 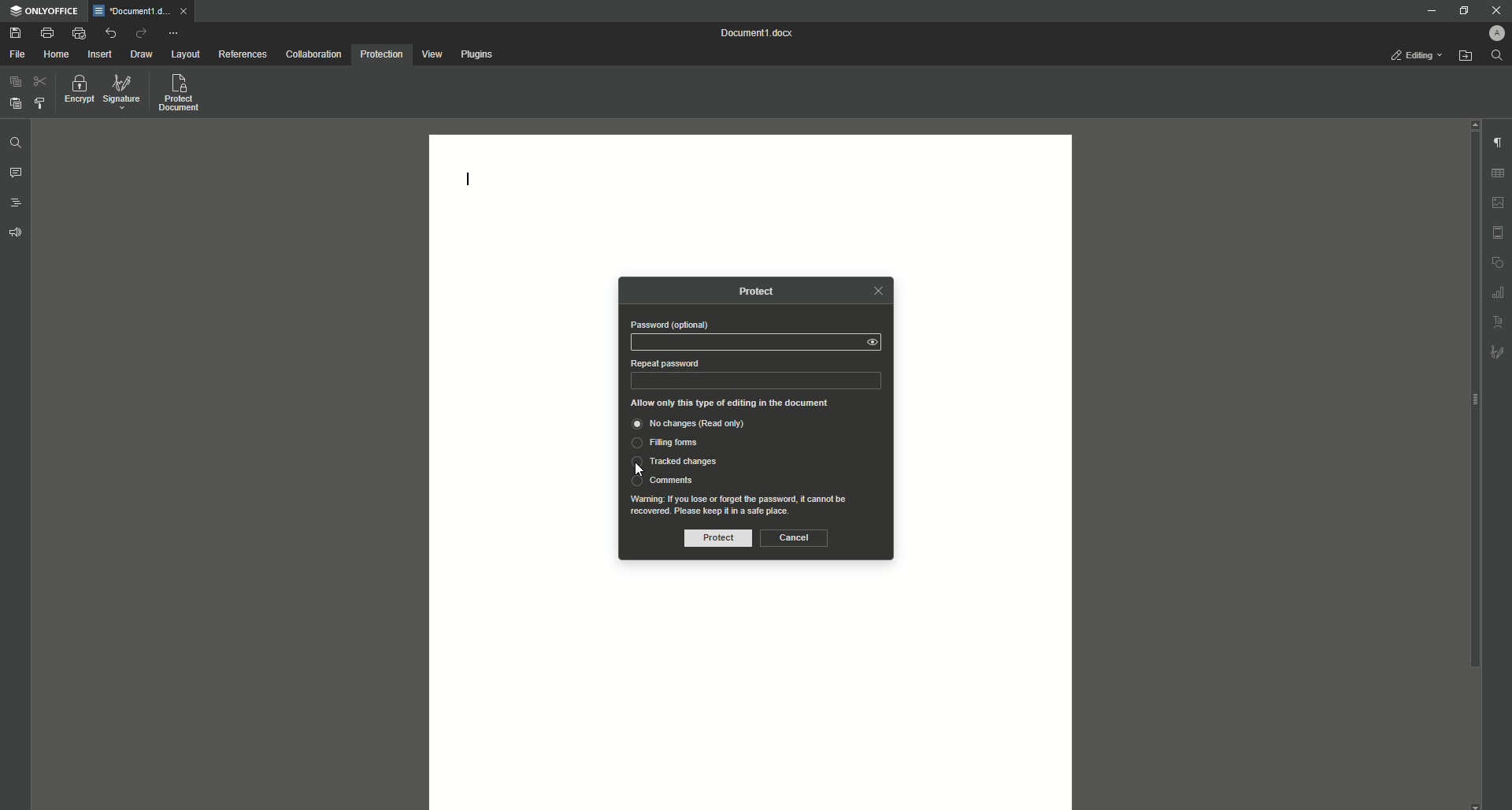 What do you see at coordinates (13, 103) in the screenshot?
I see `Paste` at bounding box center [13, 103].